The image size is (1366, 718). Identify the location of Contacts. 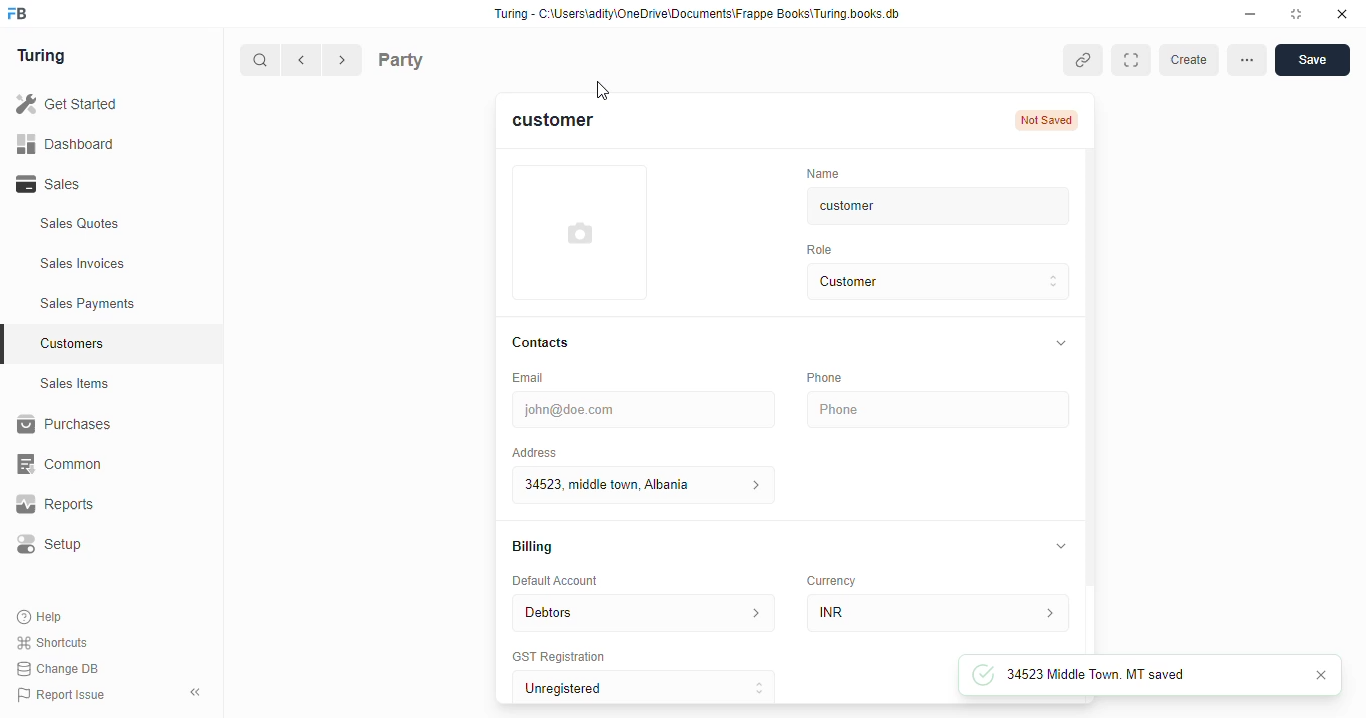
(547, 342).